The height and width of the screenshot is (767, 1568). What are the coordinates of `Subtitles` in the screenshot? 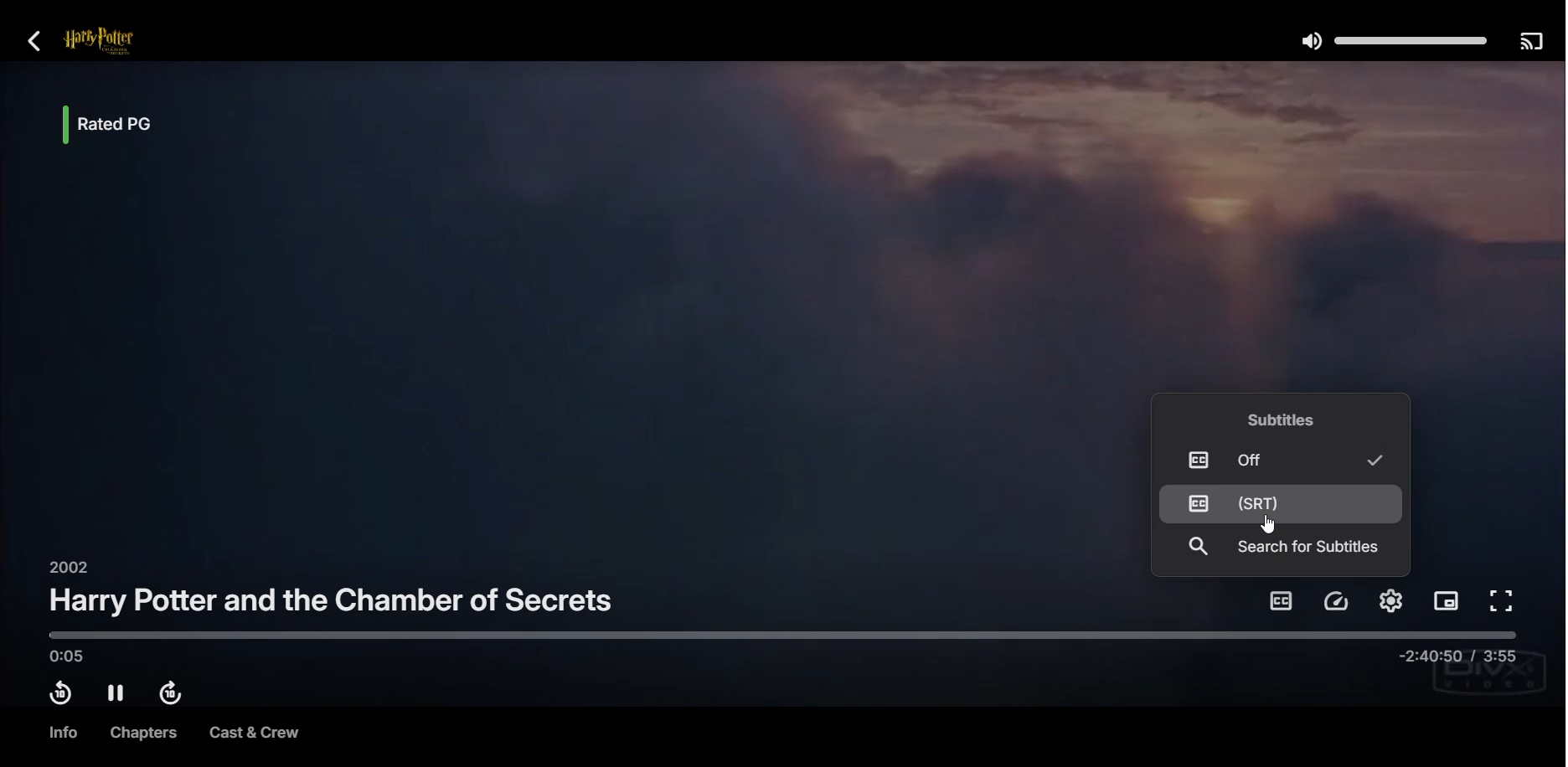 It's located at (1280, 600).